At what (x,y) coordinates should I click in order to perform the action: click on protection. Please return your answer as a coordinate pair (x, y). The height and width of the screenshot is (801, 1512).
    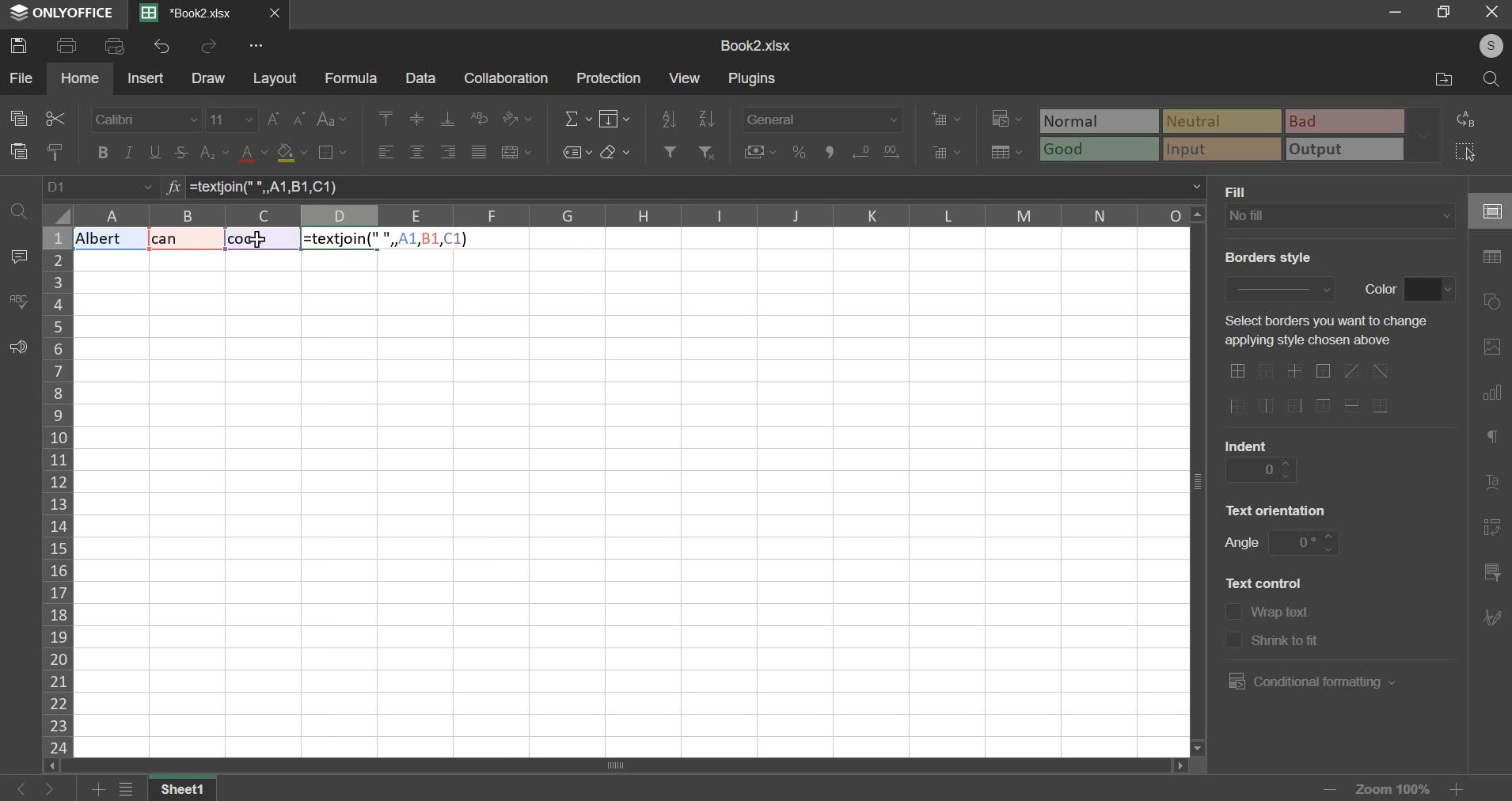
    Looking at the image, I should click on (612, 78).